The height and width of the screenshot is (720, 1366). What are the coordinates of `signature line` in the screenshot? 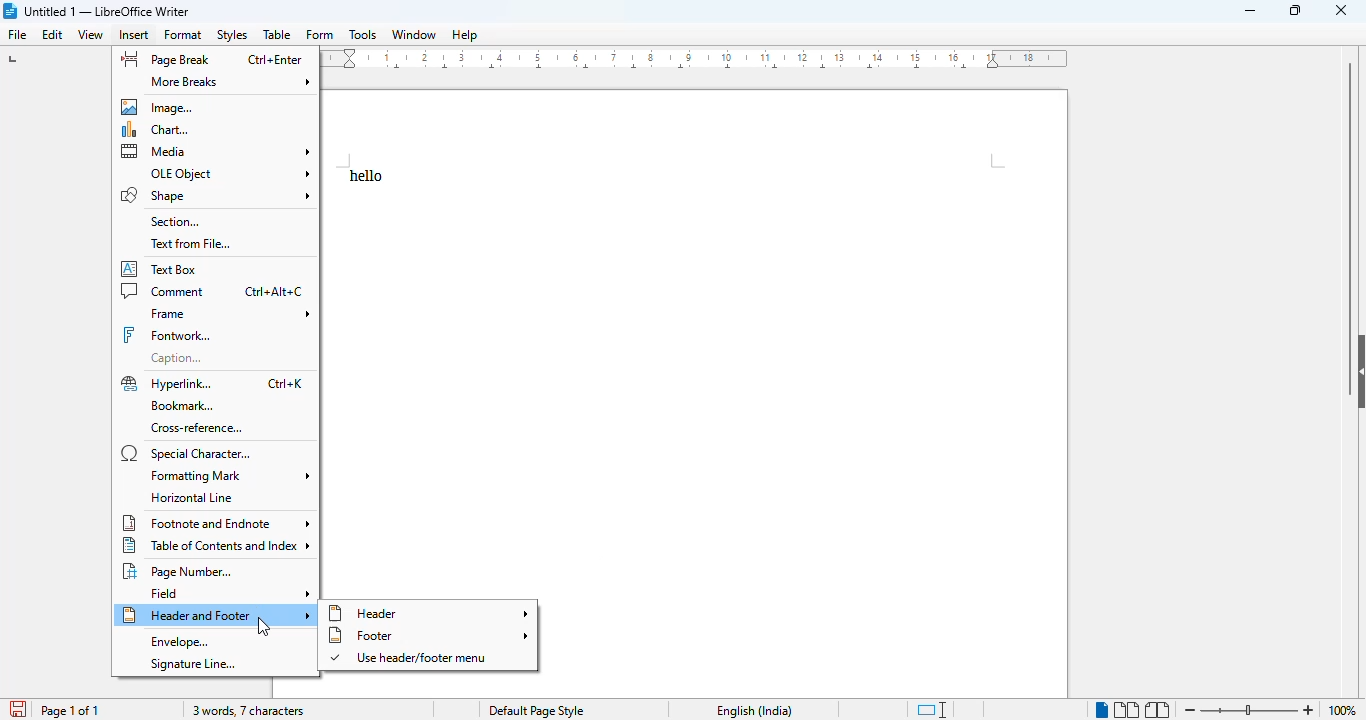 It's located at (191, 665).